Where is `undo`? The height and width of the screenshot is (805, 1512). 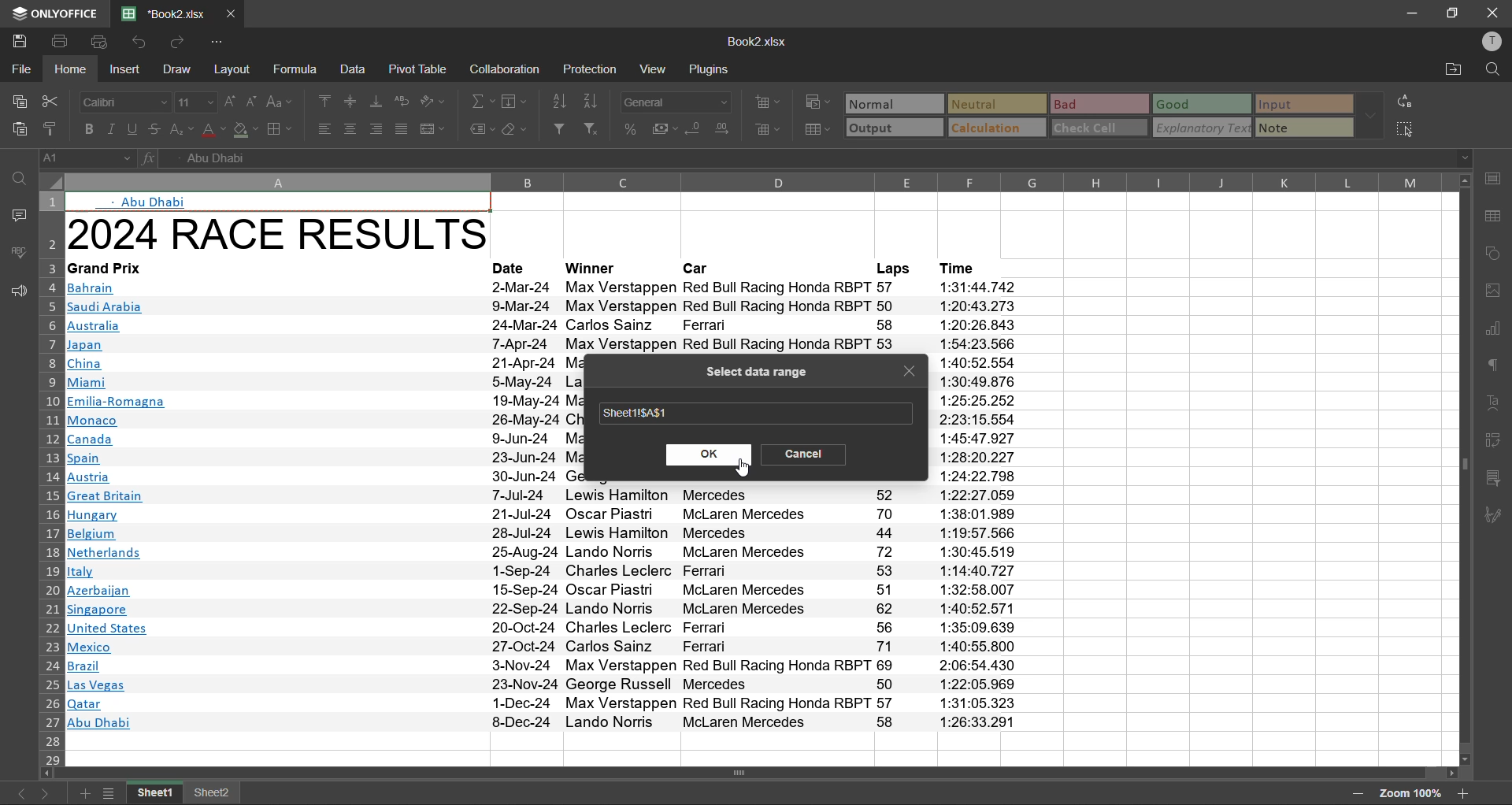 undo is located at coordinates (139, 42).